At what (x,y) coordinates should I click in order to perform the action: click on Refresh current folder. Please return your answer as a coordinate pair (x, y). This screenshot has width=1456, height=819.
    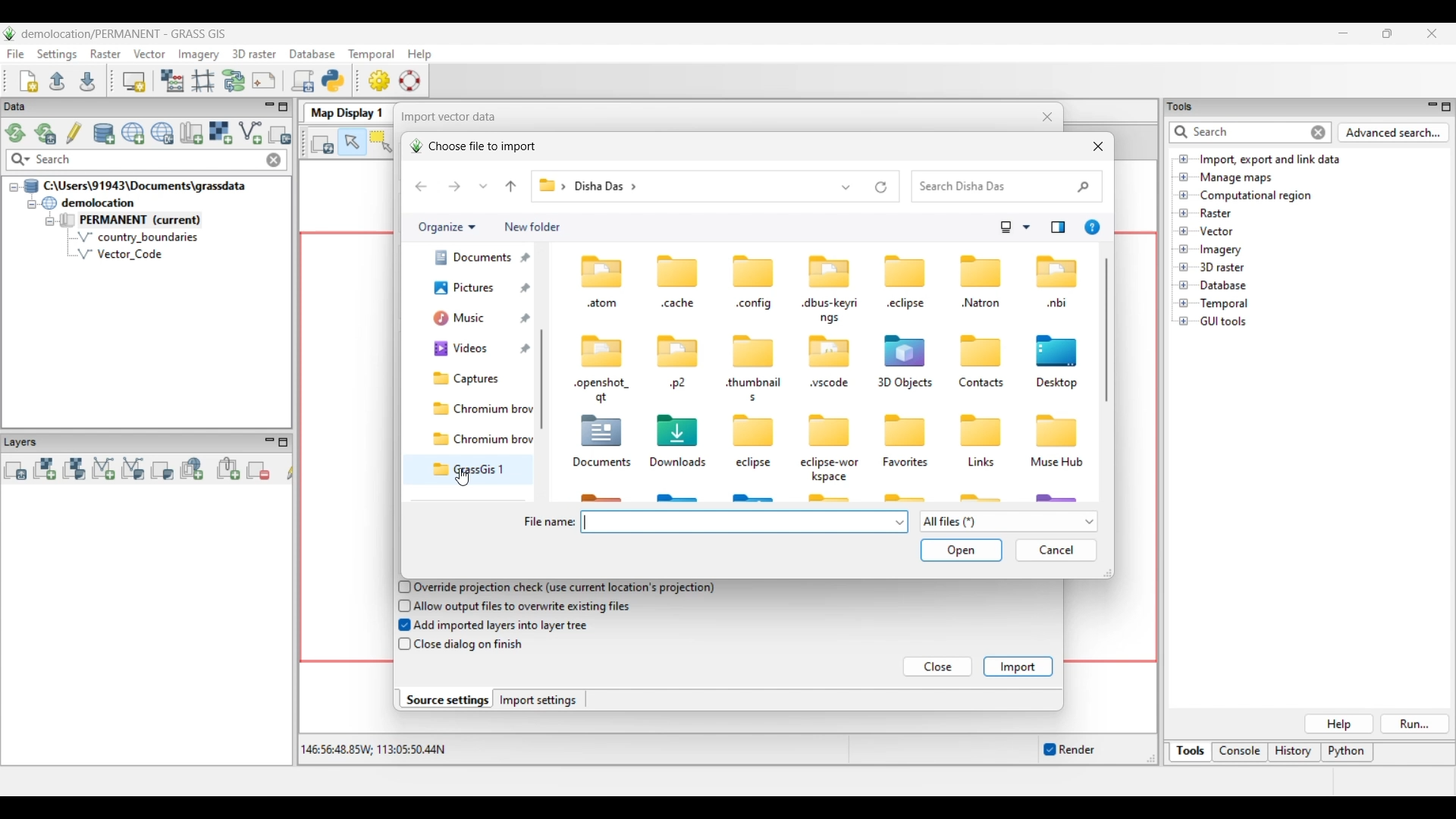
    Looking at the image, I should click on (881, 187).